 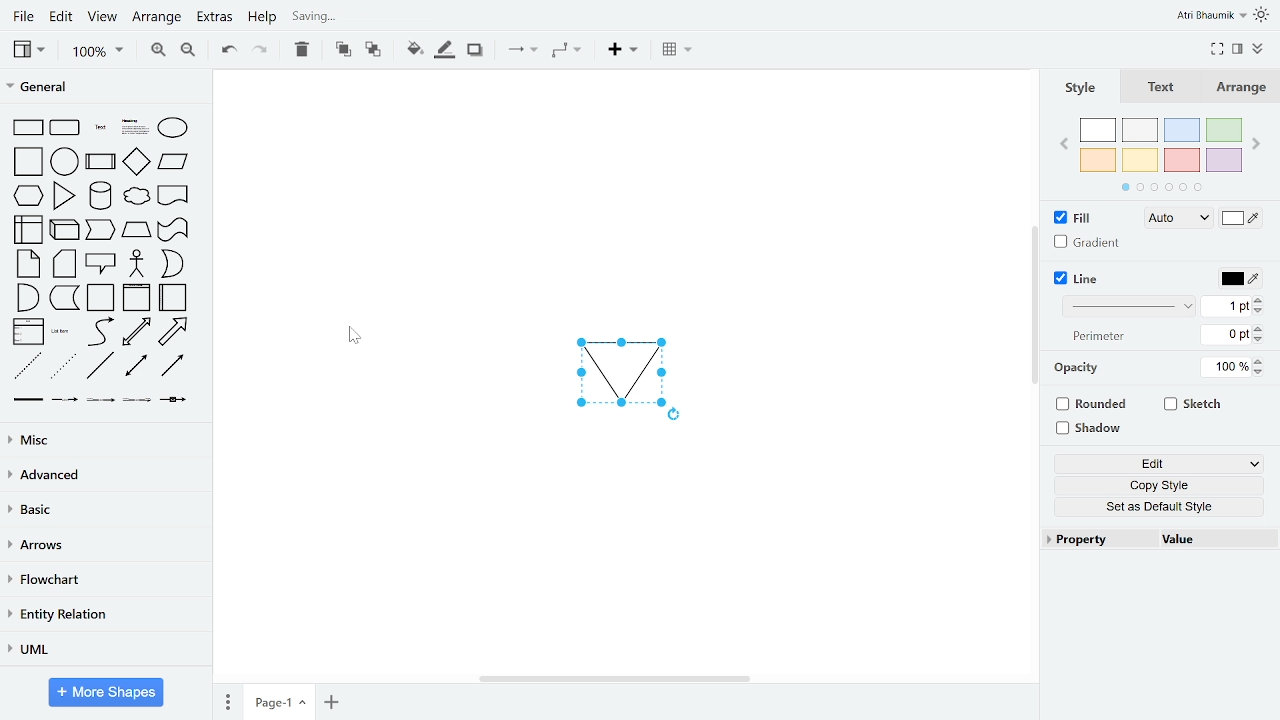 I want to click on fill color, so click(x=412, y=48).